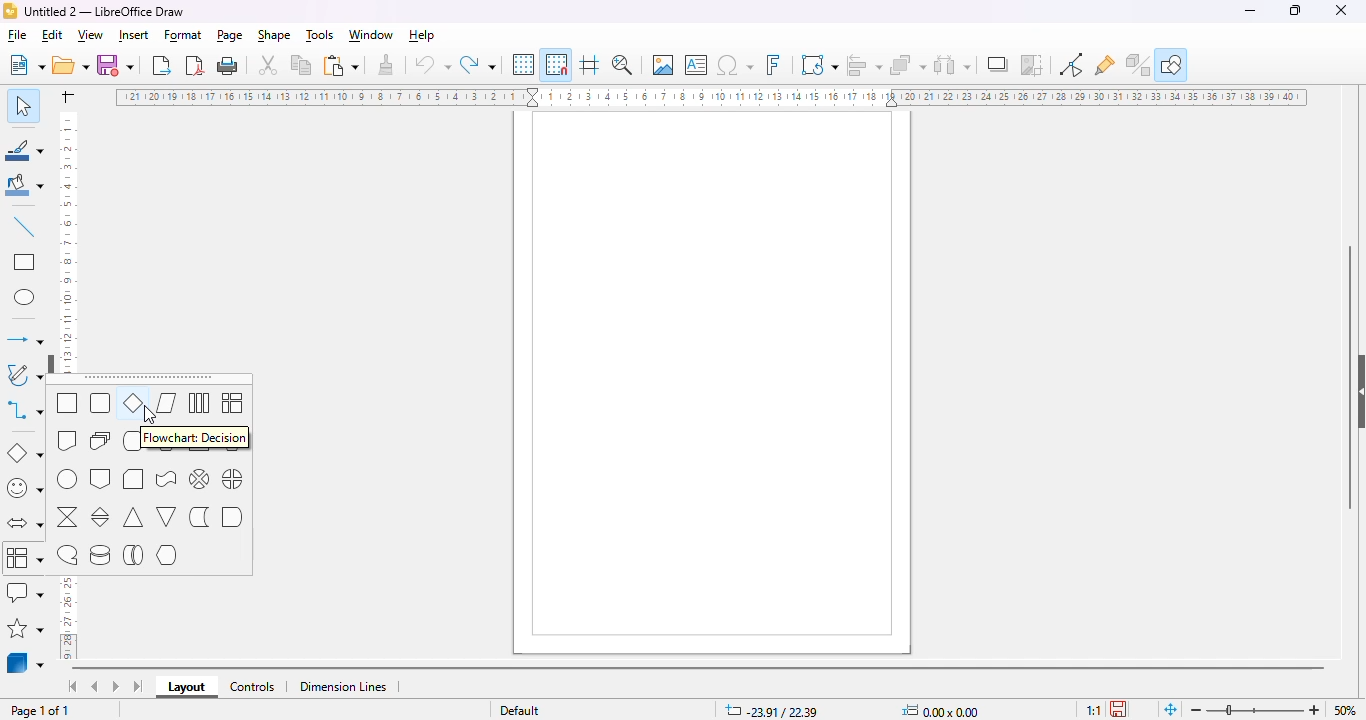 The image size is (1366, 720). Describe the element at coordinates (25, 372) in the screenshot. I see `curves and polygons` at that location.